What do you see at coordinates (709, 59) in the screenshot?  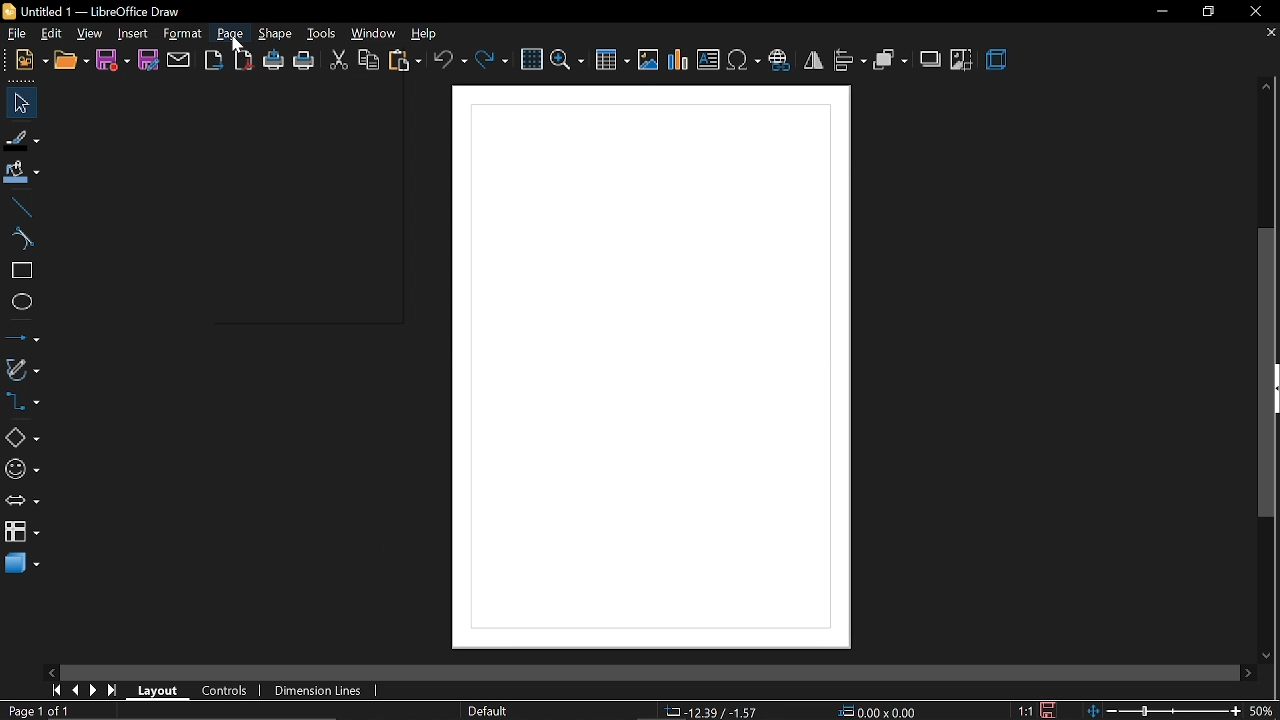 I see `insert text` at bounding box center [709, 59].